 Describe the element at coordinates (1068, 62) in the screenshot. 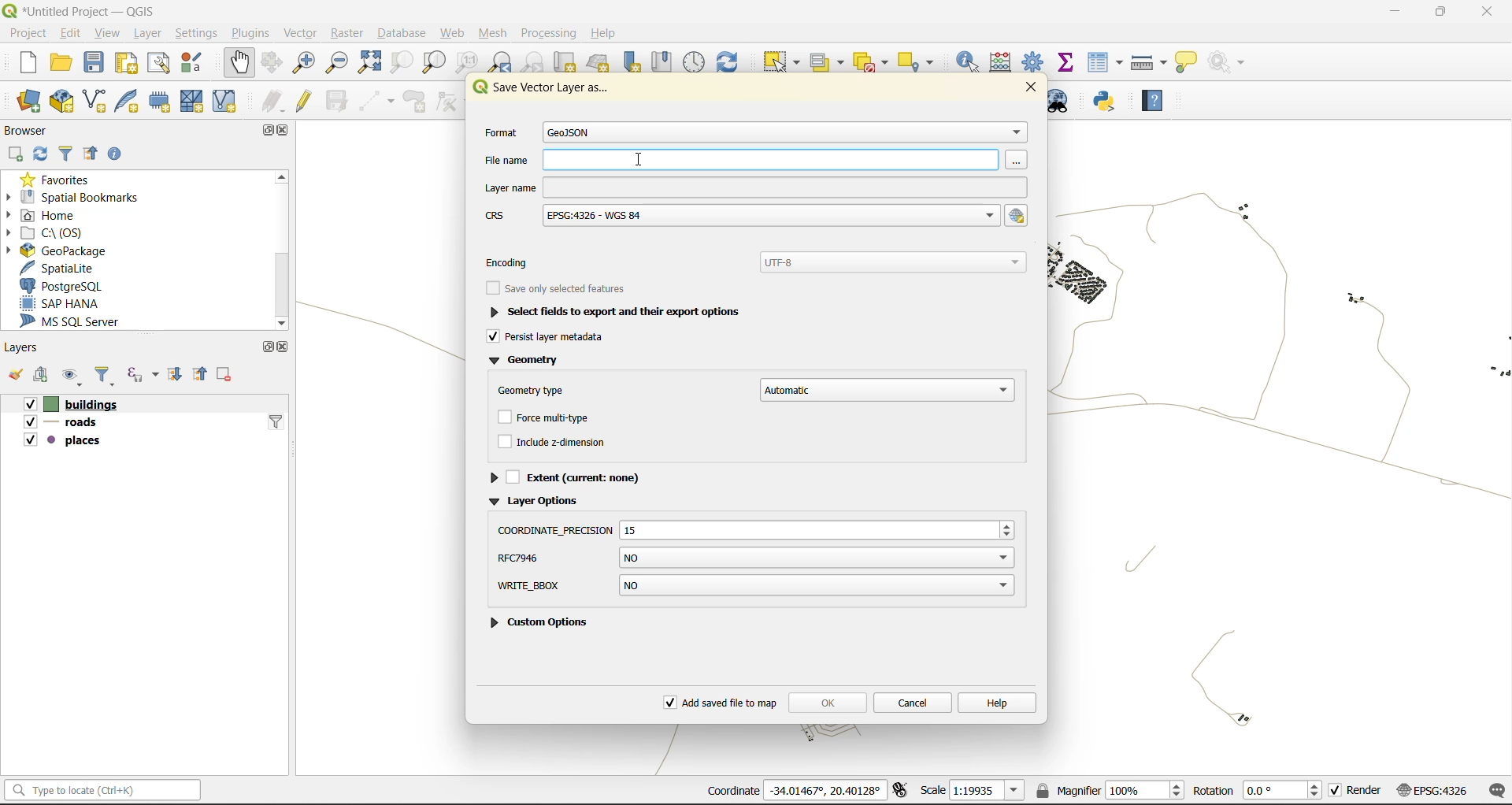

I see `statistical summary` at that location.